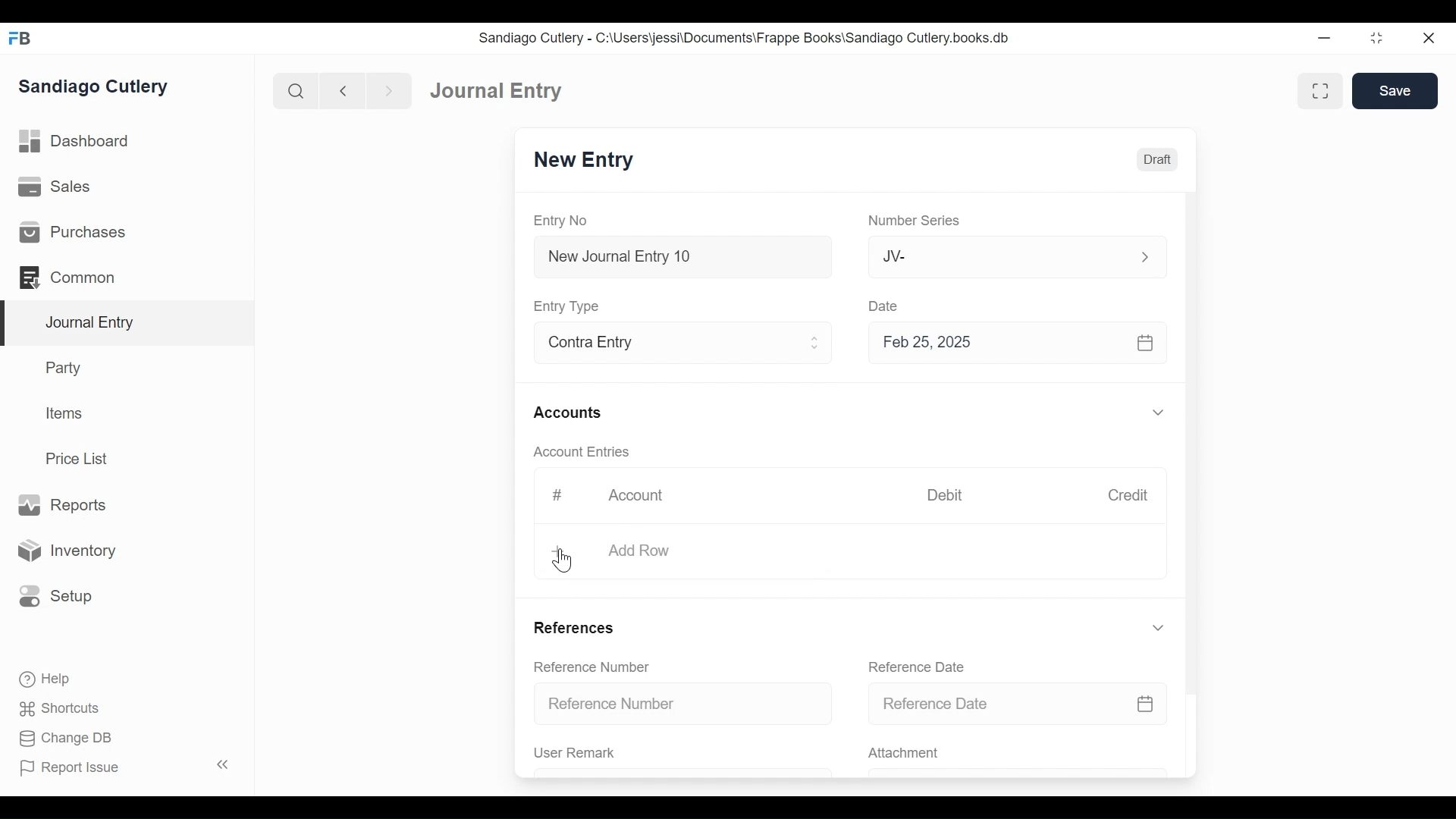 This screenshot has width=1456, height=819. What do you see at coordinates (638, 497) in the screenshot?
I see `Account` at bounding box center [638, 497].